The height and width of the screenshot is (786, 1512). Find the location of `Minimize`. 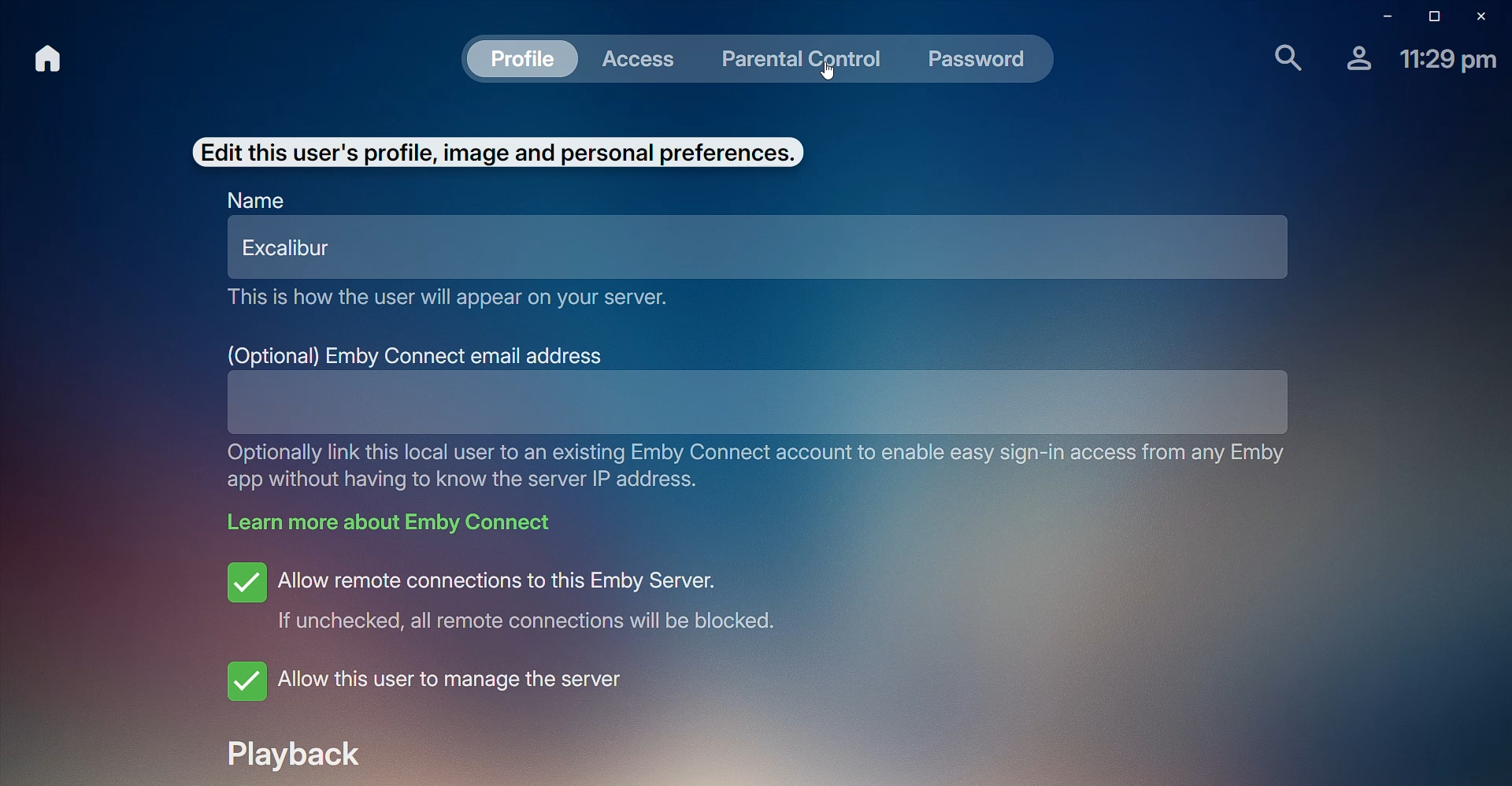

Minimize is located at coordinates (1380, 15).